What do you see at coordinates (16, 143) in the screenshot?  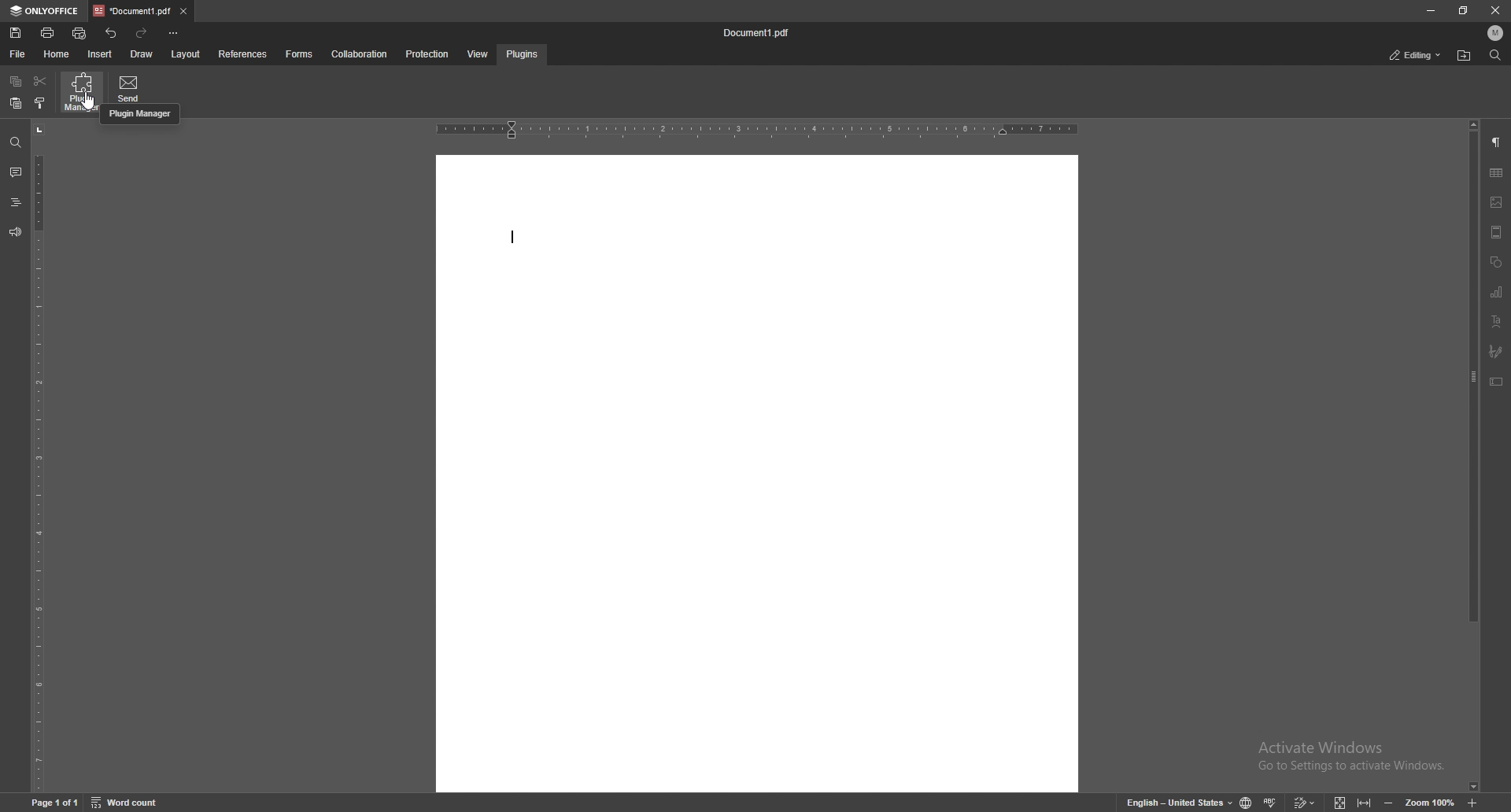 I see `find` at bounding box center [16, 143].